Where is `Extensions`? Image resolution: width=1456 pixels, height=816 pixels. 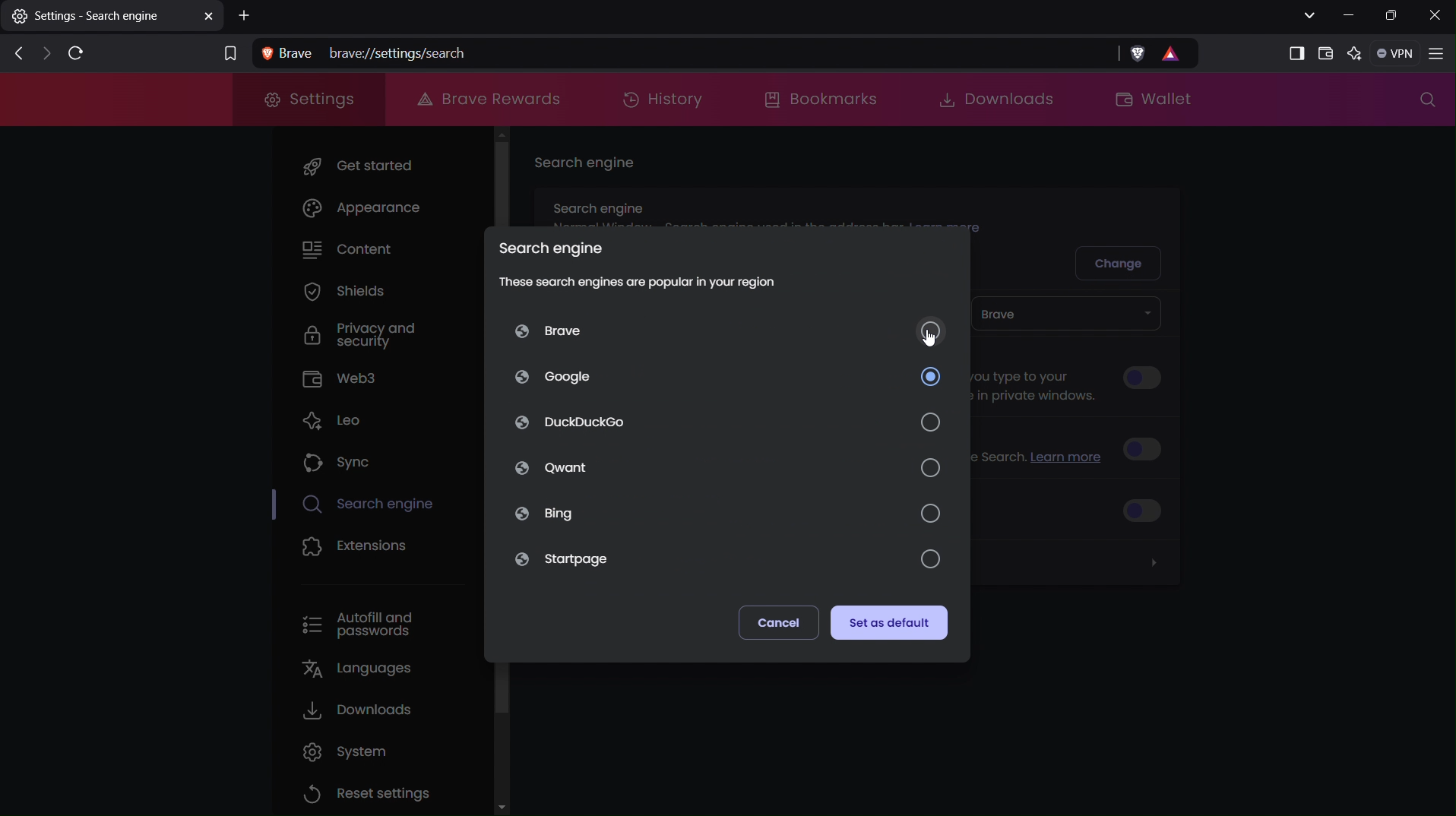 Extensions is located at coordinates (356, 548).